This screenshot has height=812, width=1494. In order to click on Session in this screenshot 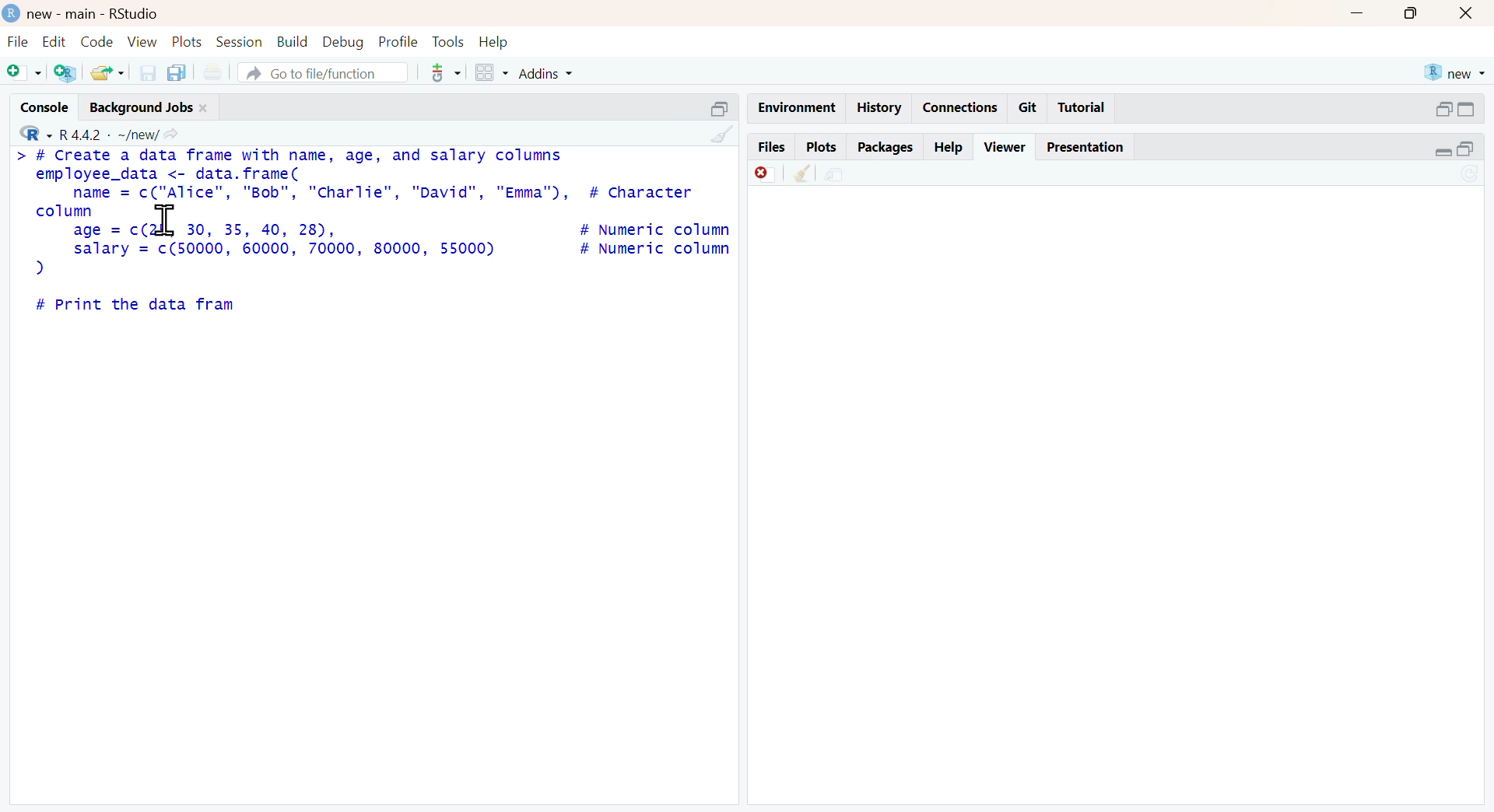, I will do `click(239, 40)`.